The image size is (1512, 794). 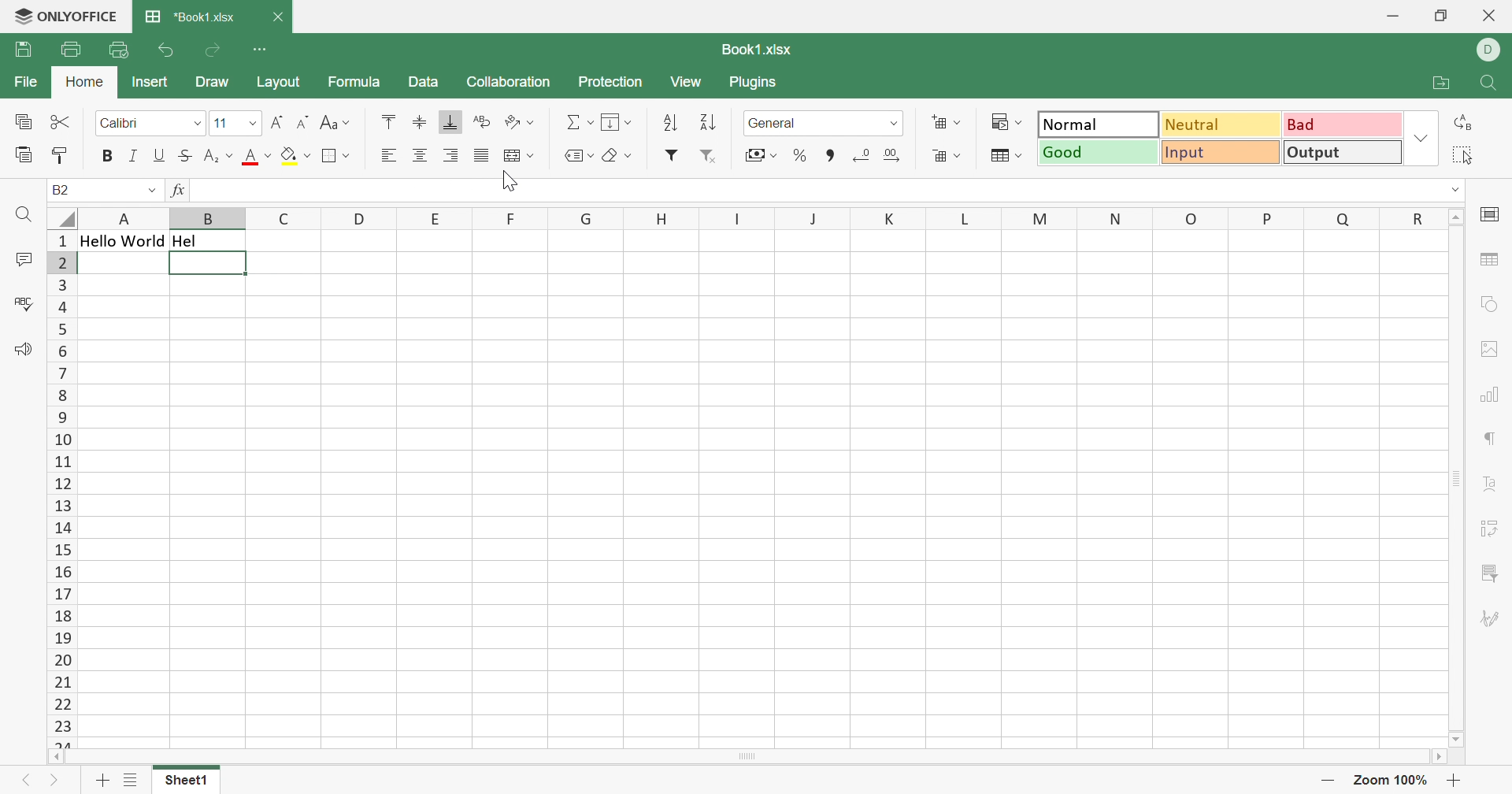 What do you see at coordinates (860, 158) in the screenshot?
I see `Decrease decimal` at bounding box center [860, 158].